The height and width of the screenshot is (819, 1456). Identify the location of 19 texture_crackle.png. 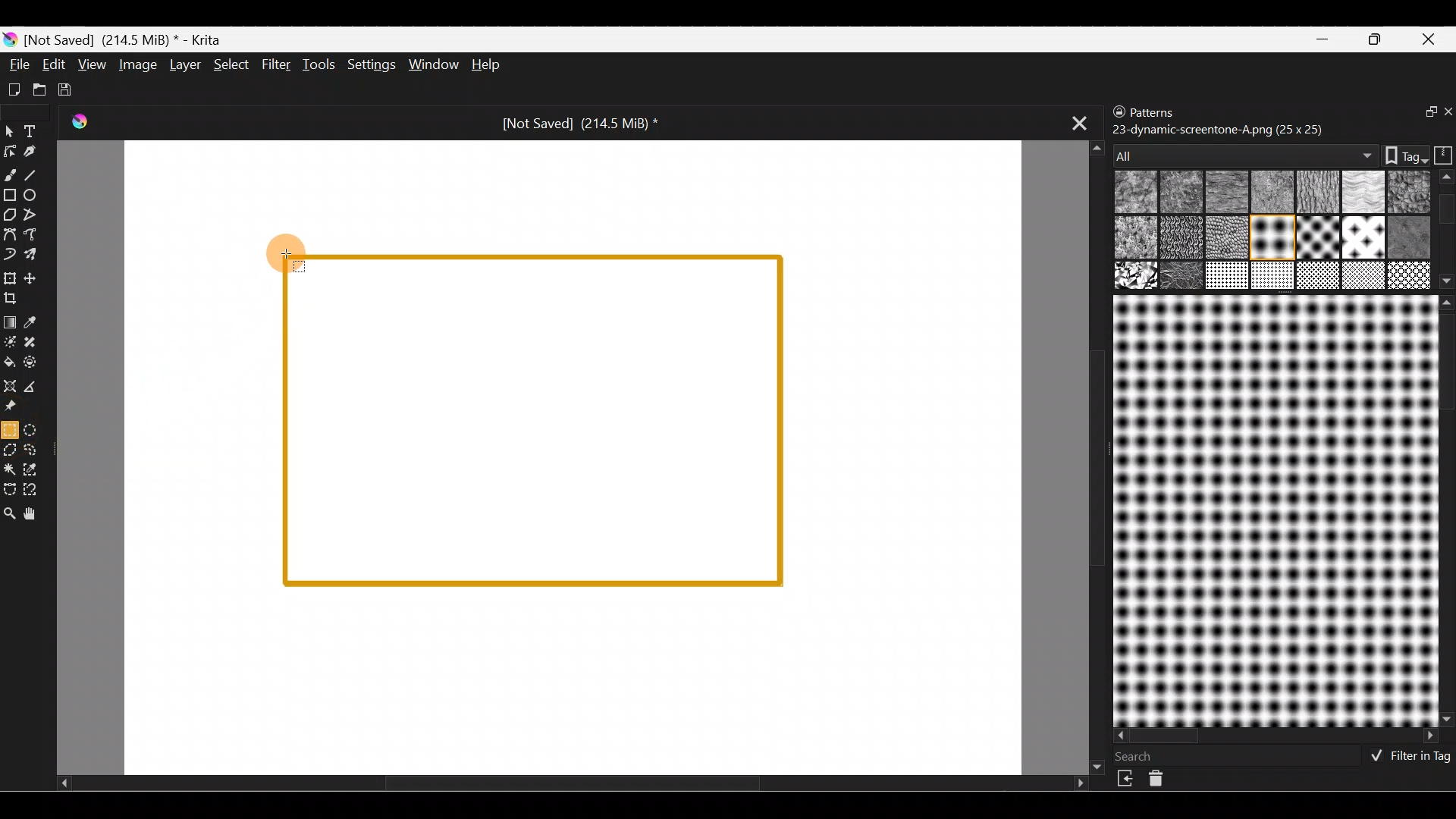
(1363, 275).